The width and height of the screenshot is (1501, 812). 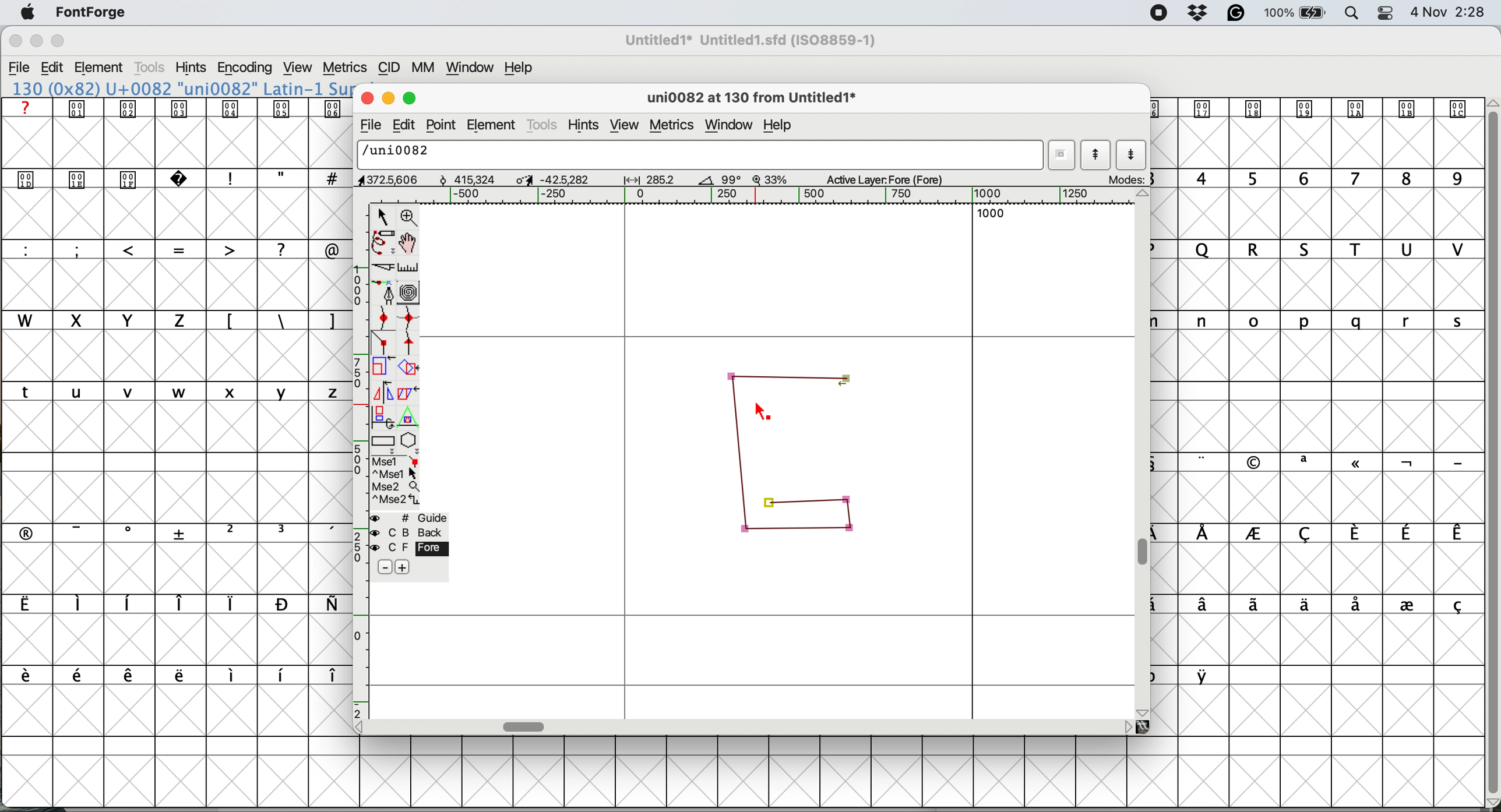 What do you see at coordinates (364, 726) in the screenshot?
I see `scroll button` at bounding box center [364, 726].